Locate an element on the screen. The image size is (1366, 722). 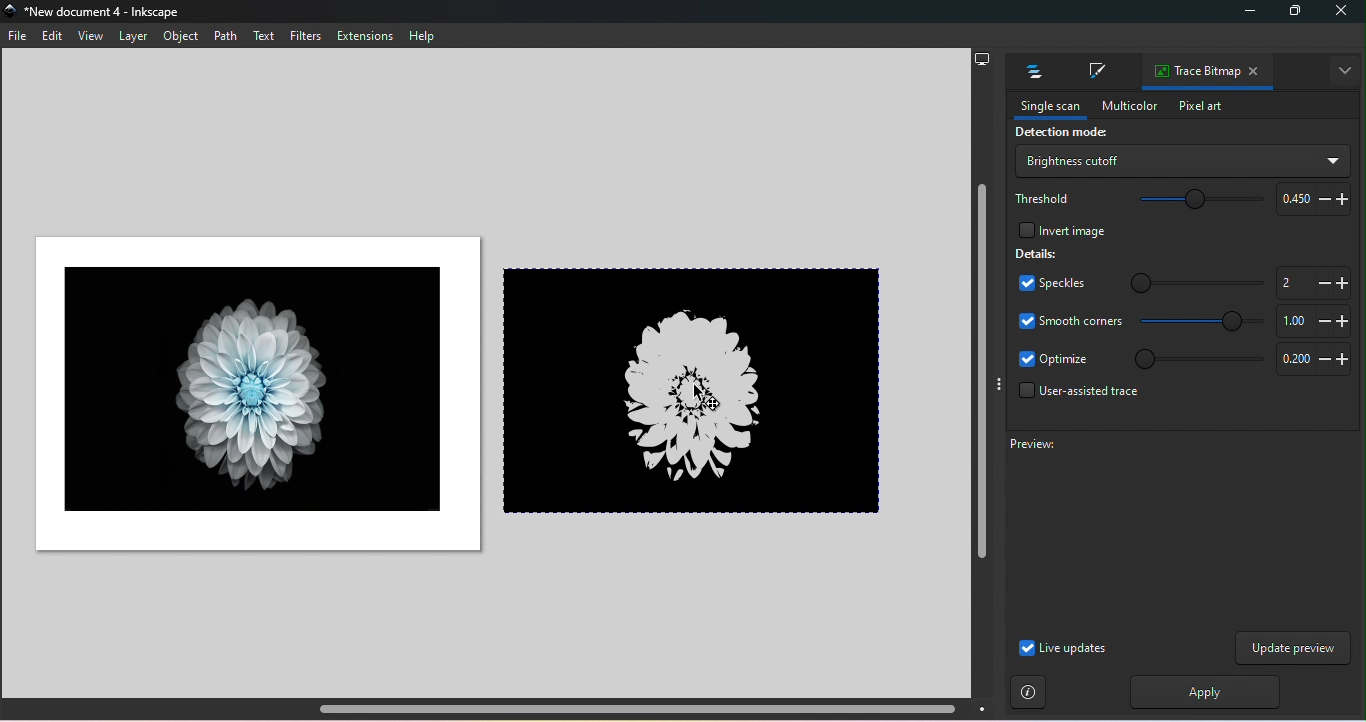
Increase or decrease slide bar is located at coordinates (1309, 282).